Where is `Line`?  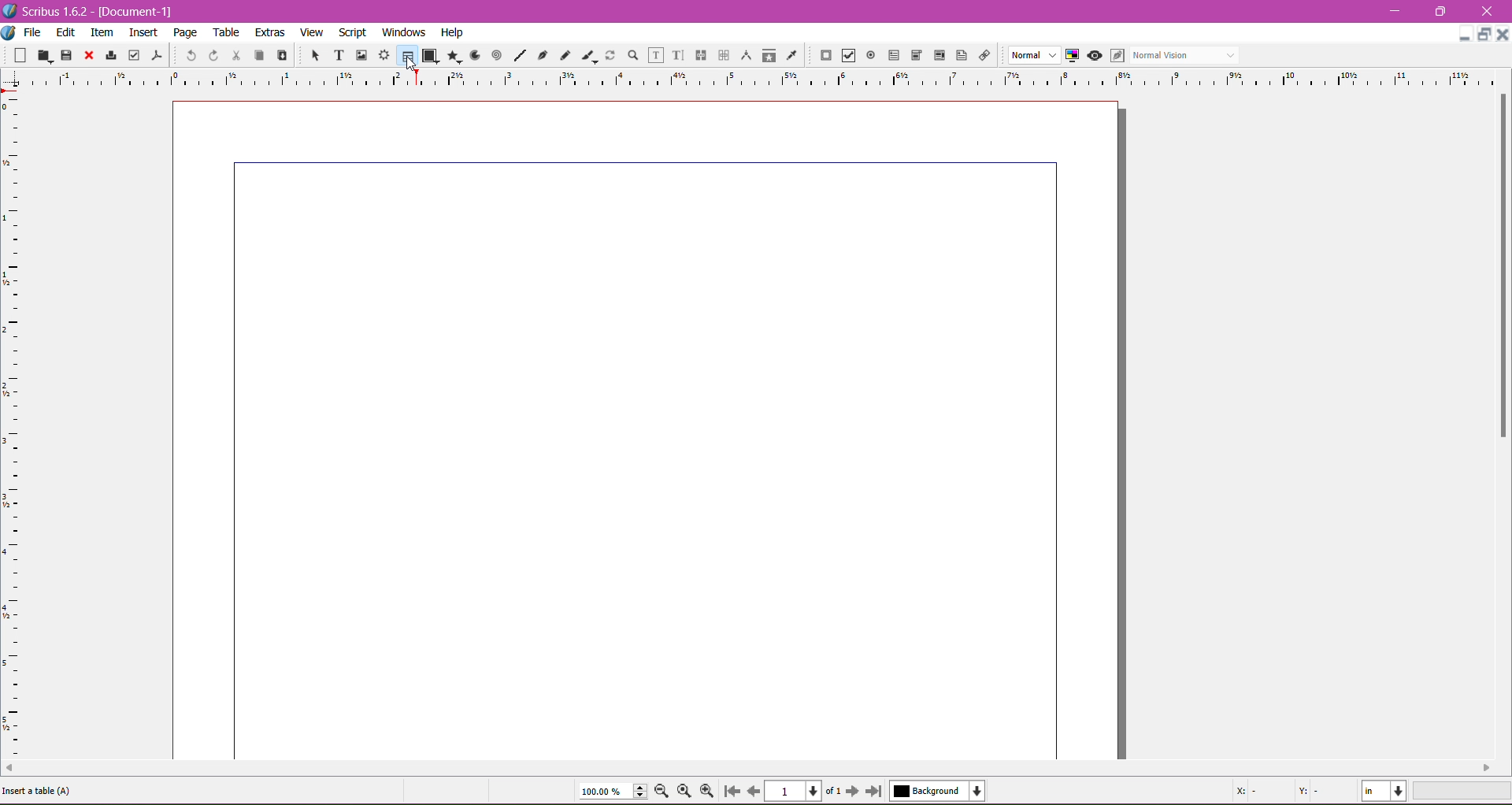
Line is located at coordinates (517, 56).